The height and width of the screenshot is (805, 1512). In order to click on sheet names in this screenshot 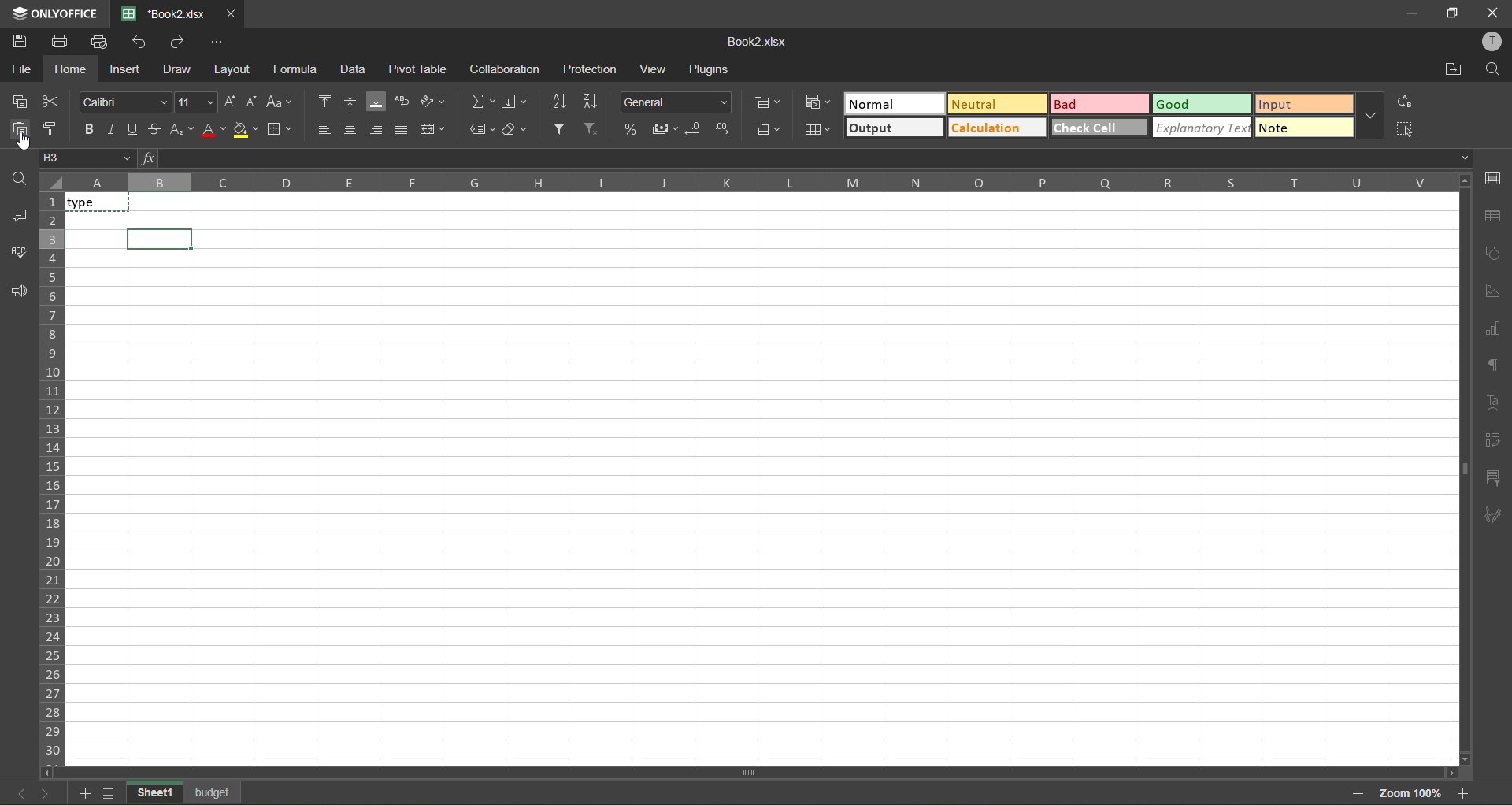, I will do `click(185, 792)`.